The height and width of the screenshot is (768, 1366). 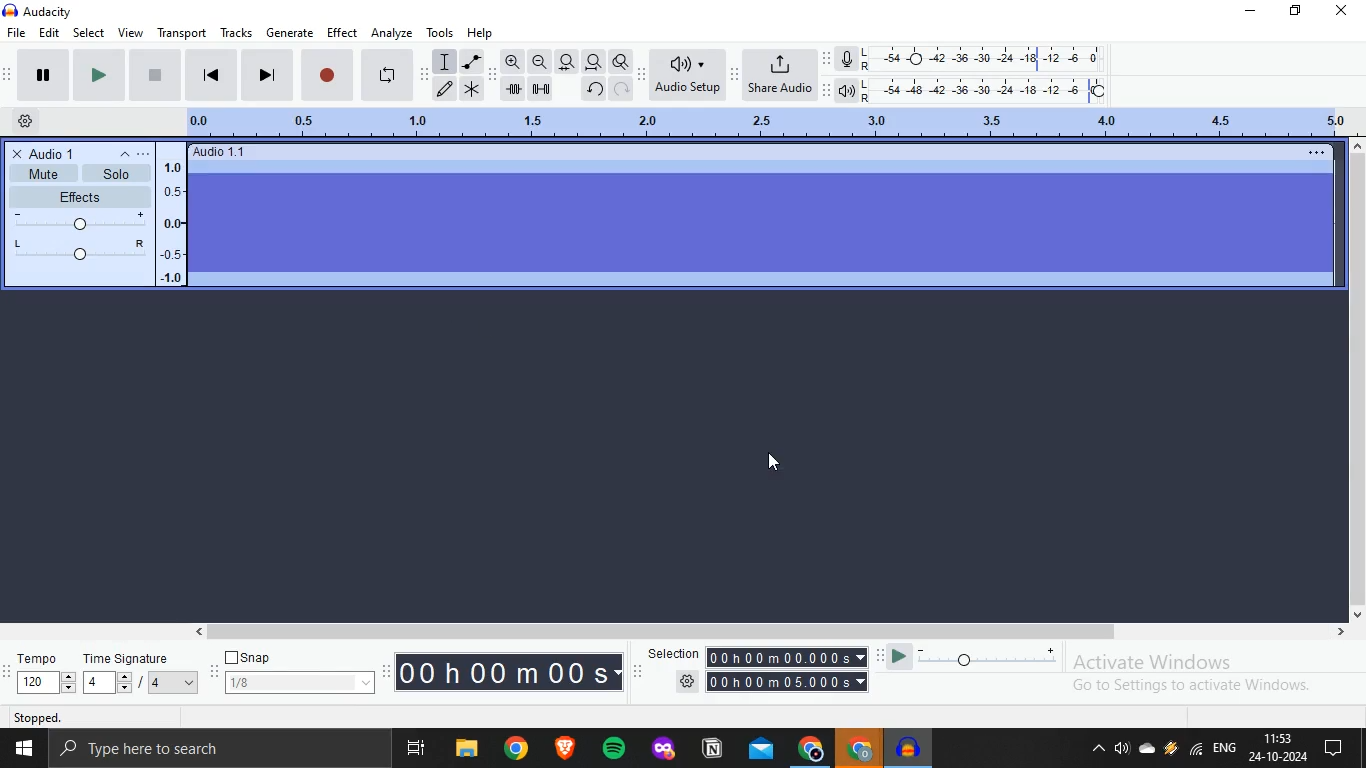 I want to click on File, so click(x=466, y=748).